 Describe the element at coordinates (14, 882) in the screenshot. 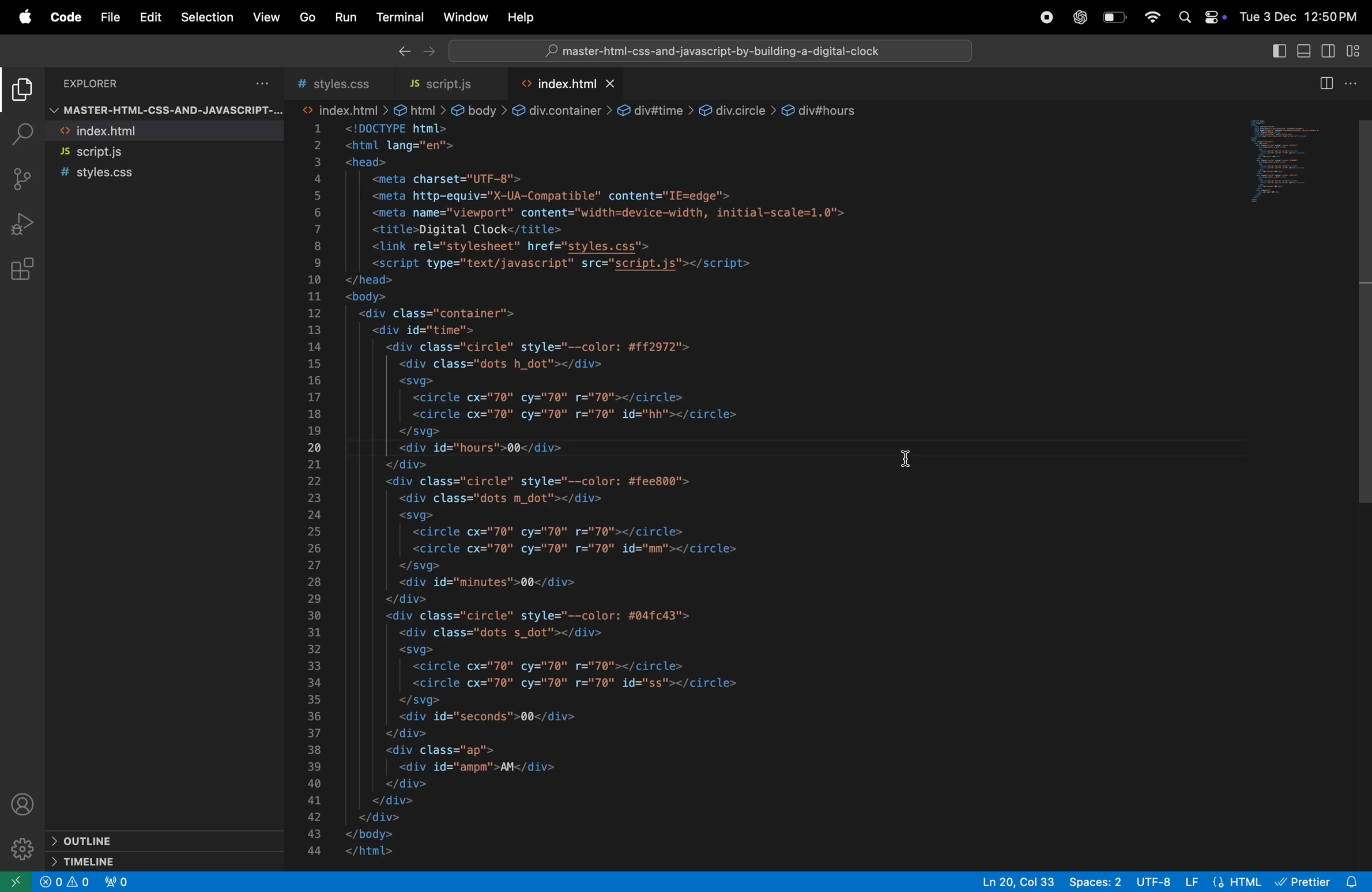

I see `open remote window` at that location.